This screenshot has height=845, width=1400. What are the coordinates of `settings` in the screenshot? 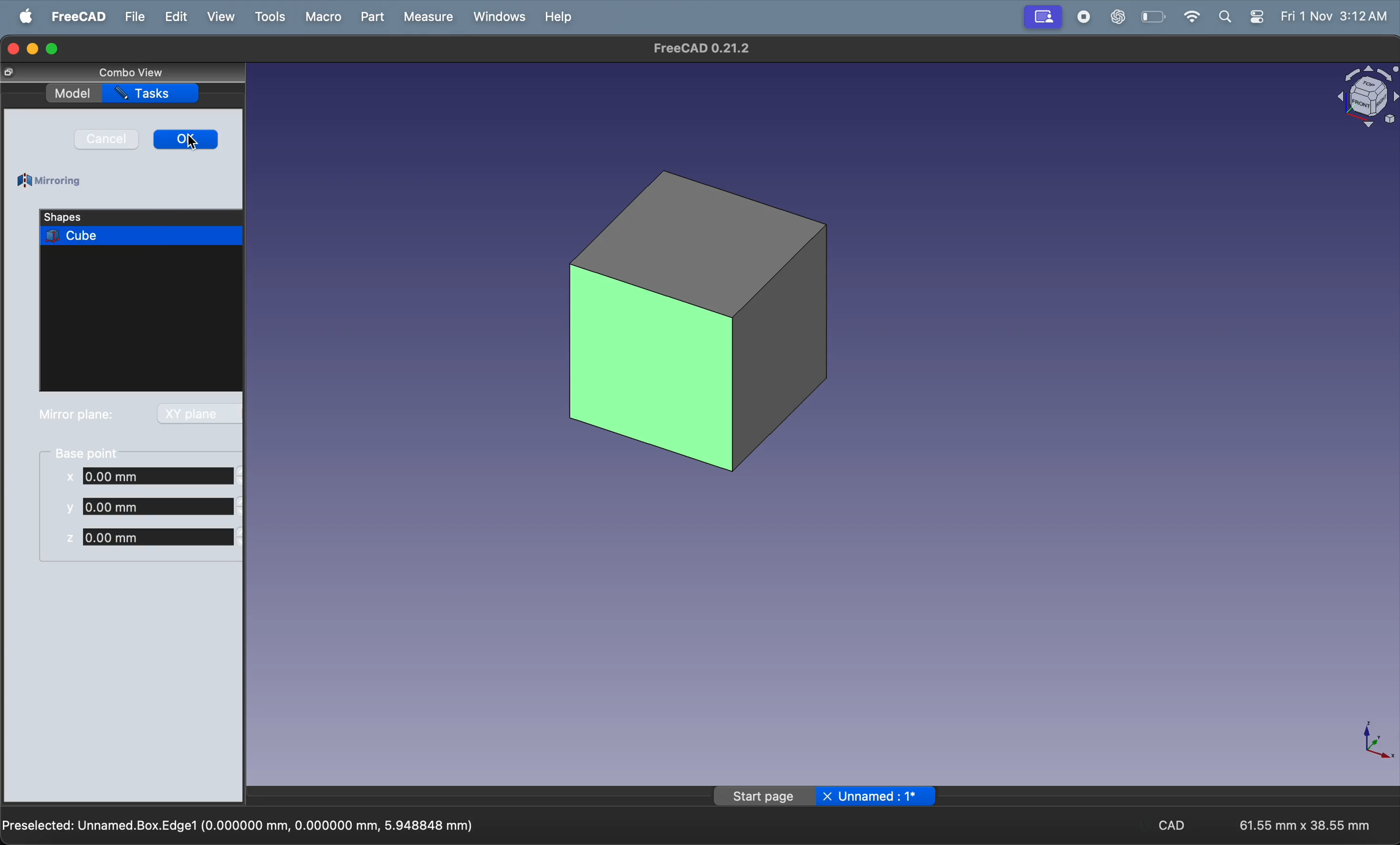 It's located at (1254, 17).